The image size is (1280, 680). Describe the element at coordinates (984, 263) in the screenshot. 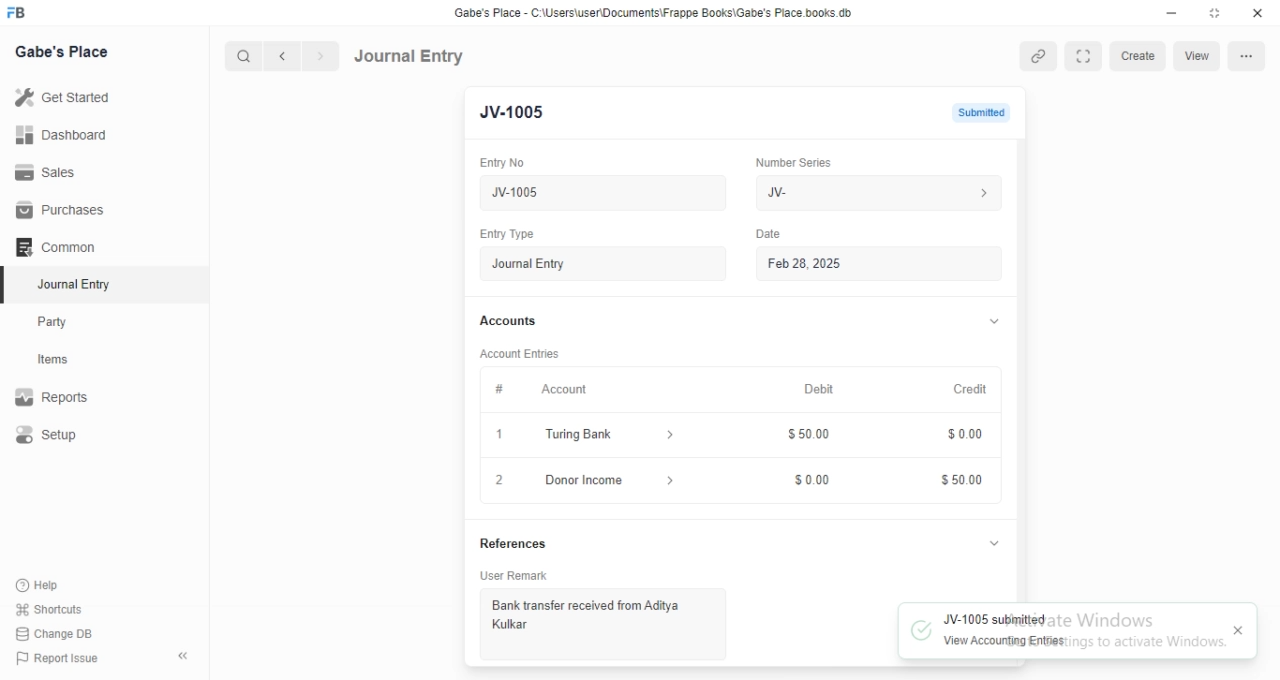

I see `calender` at that location.